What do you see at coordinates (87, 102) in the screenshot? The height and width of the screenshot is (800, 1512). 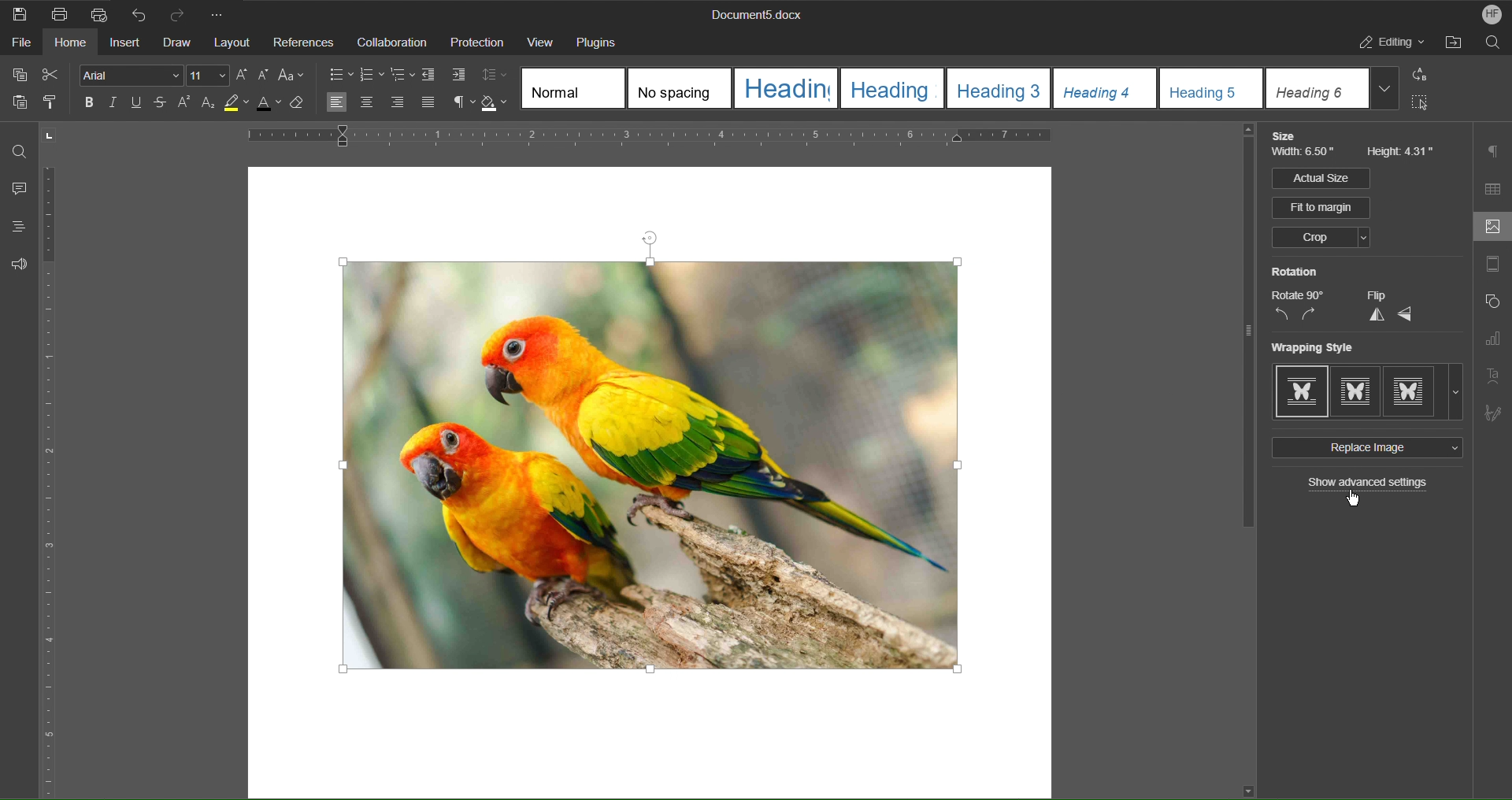 I see `Bold` at bounding box center [87, 102].